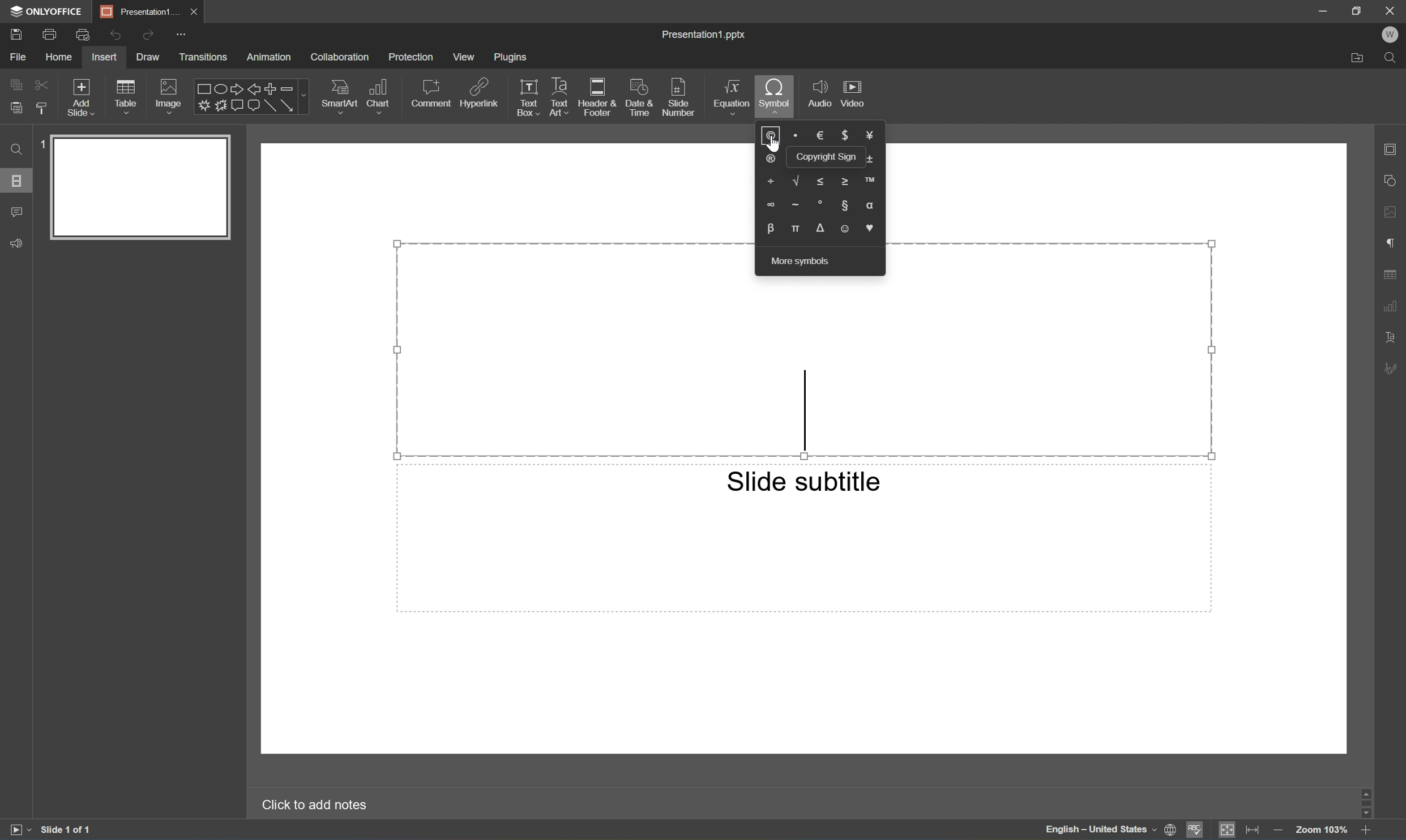  I want to click on Close, so click(194, 11).